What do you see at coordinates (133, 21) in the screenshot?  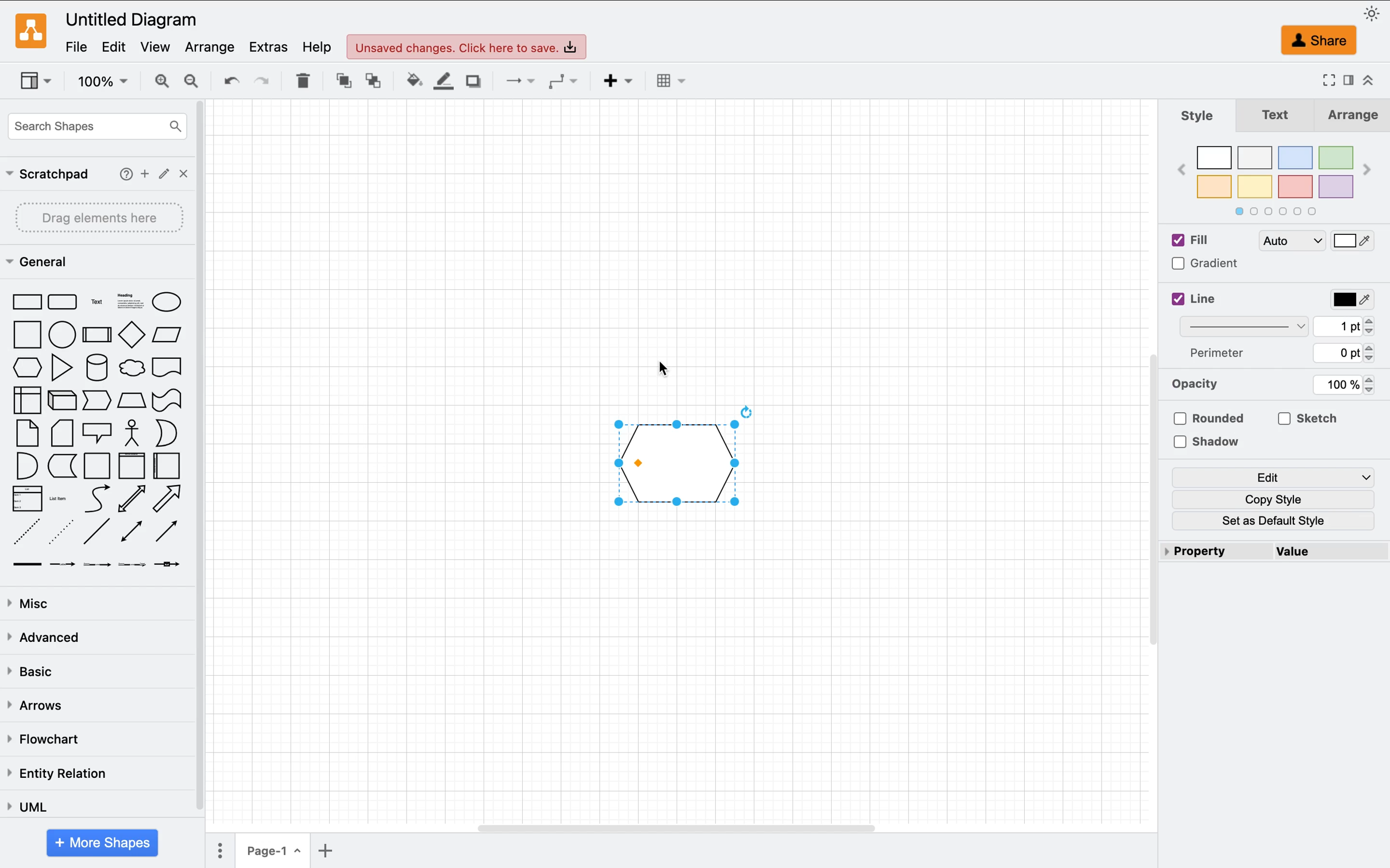 I see `untitled diagram` at bounding box center [133, 21].